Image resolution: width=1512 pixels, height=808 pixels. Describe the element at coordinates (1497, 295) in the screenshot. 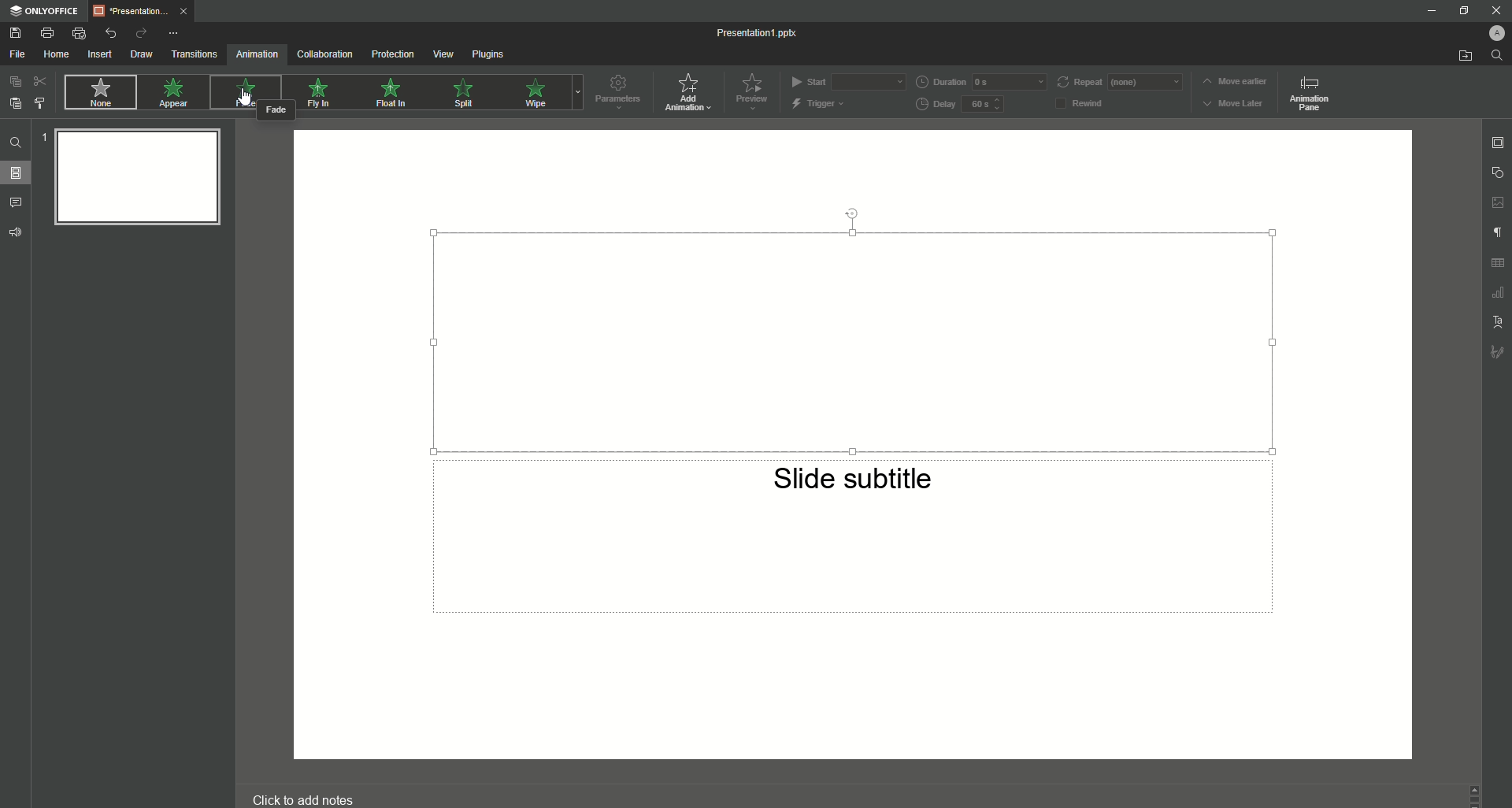

I see `Chart Settings` at that location.